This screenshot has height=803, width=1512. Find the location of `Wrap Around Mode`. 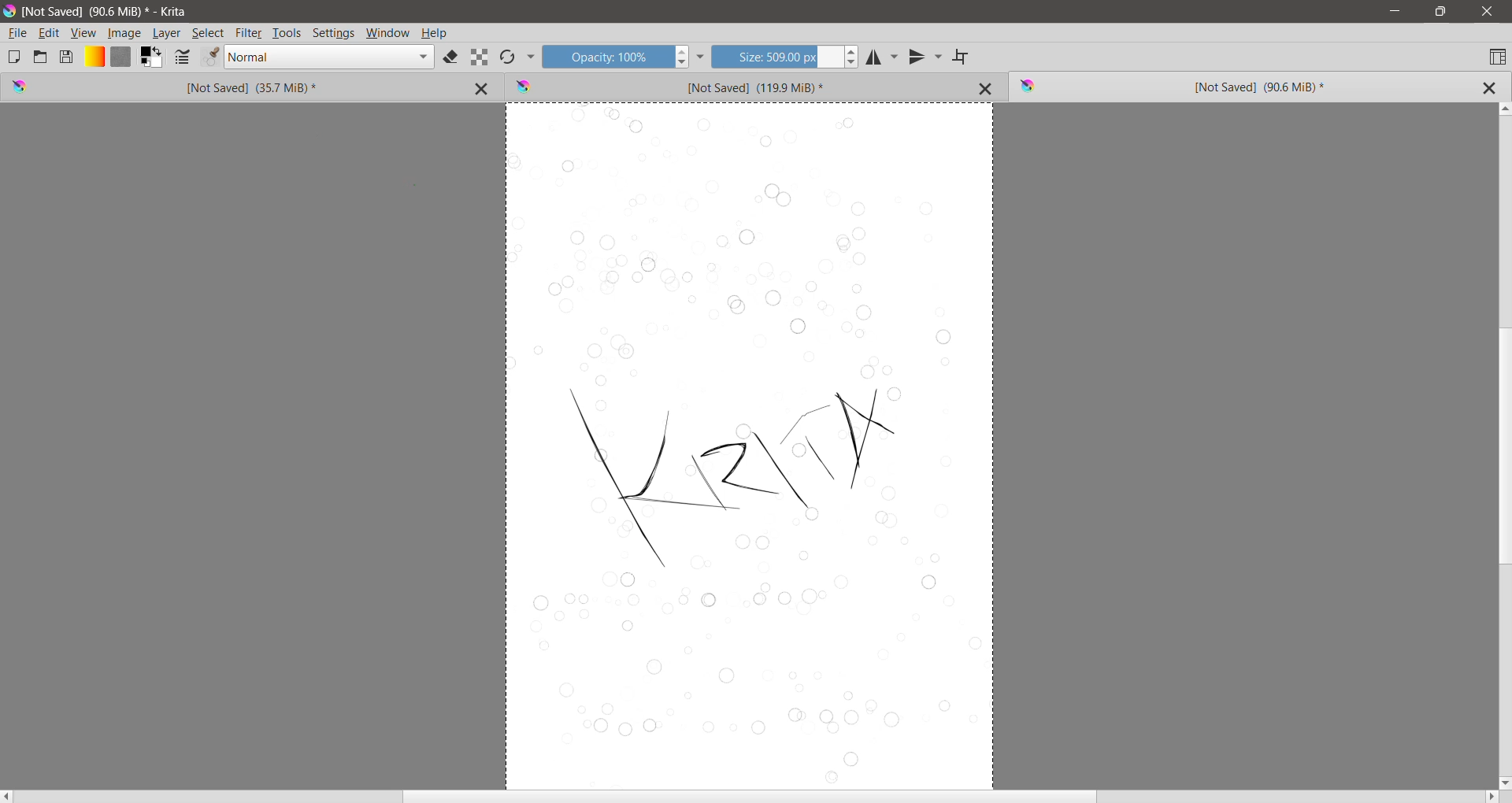

Wrap Around Mode is located at coordinates (962, 57).